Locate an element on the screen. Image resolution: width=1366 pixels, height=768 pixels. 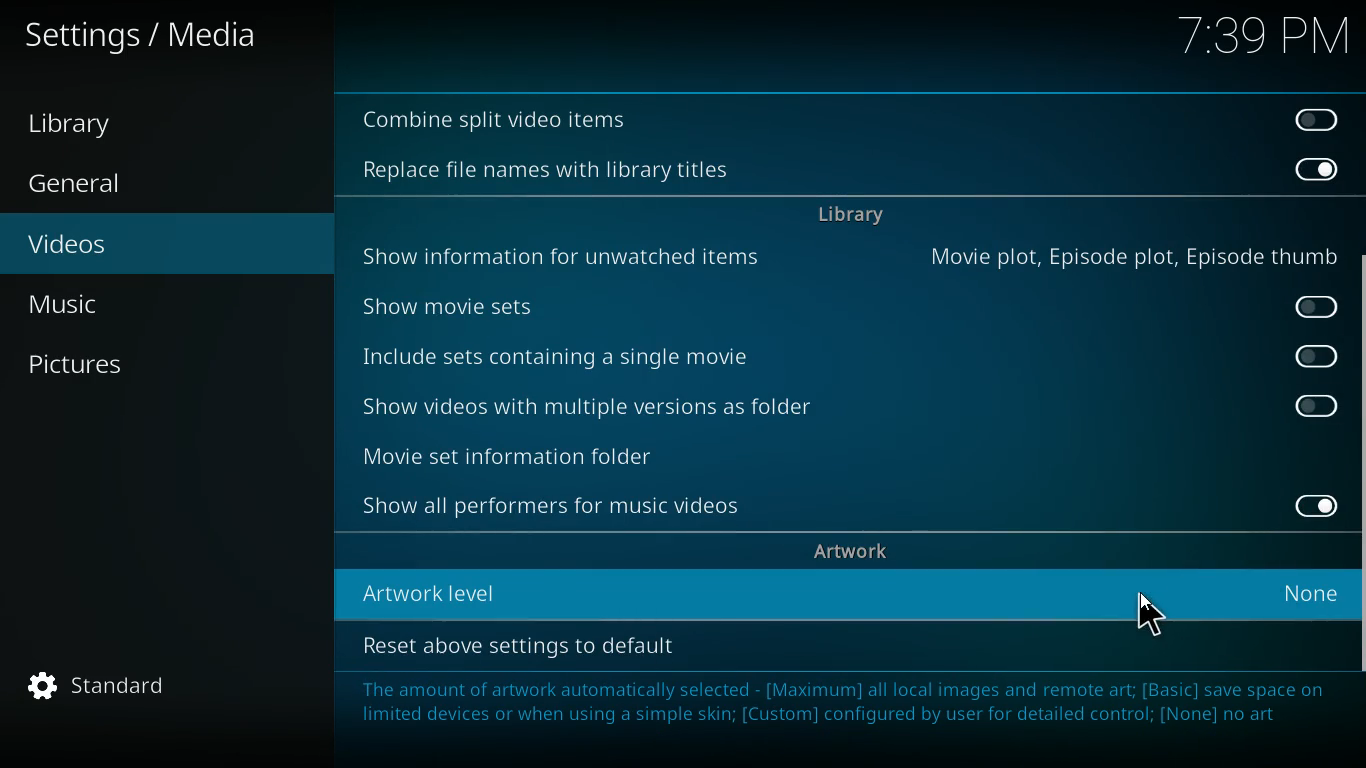
show all performers is located at coordinates (559, 508).